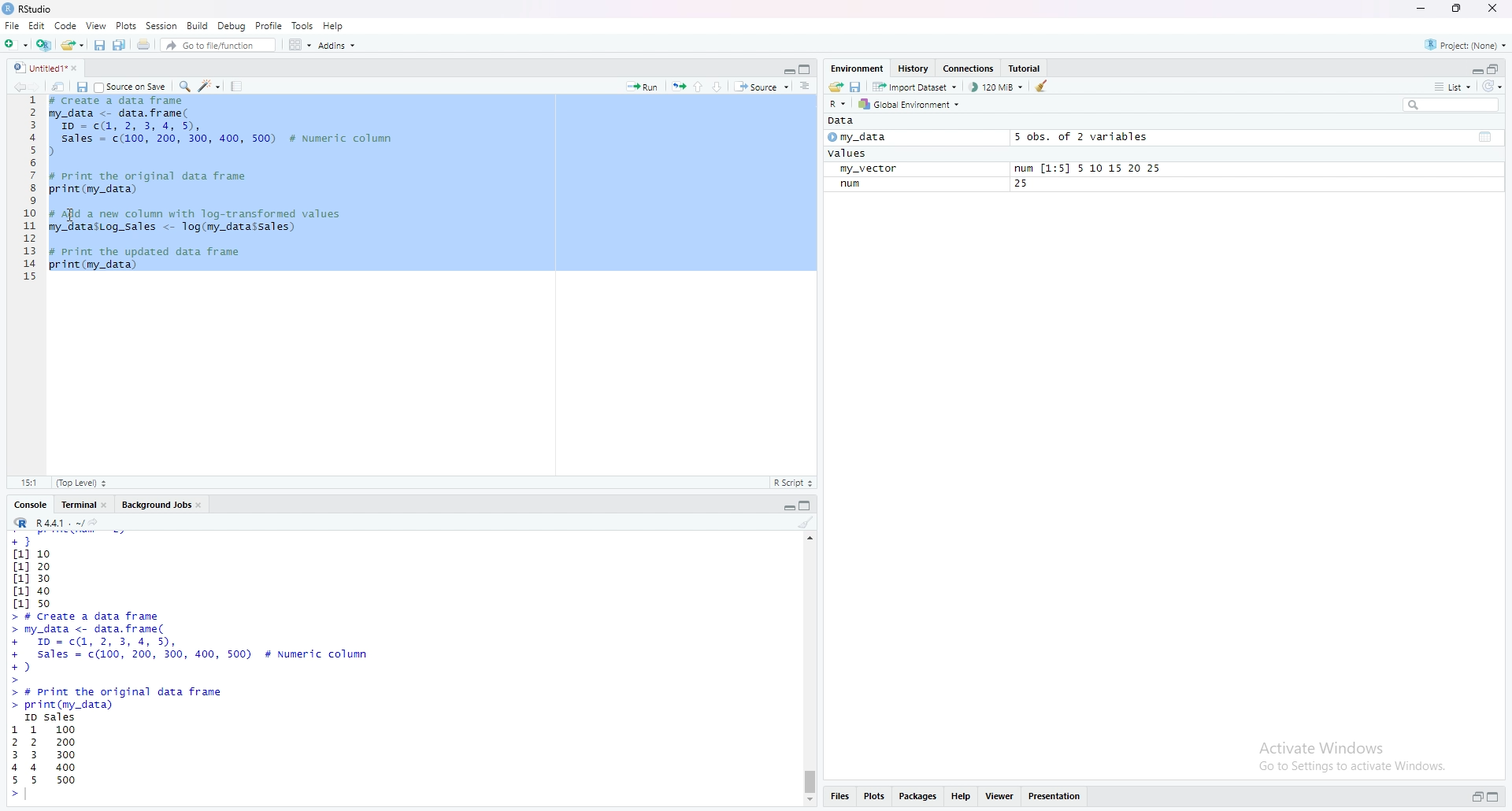  What do you see at coordinates (1473, 796) in the screenshot?
I see `minimize` at bounding box center [1473, 796].